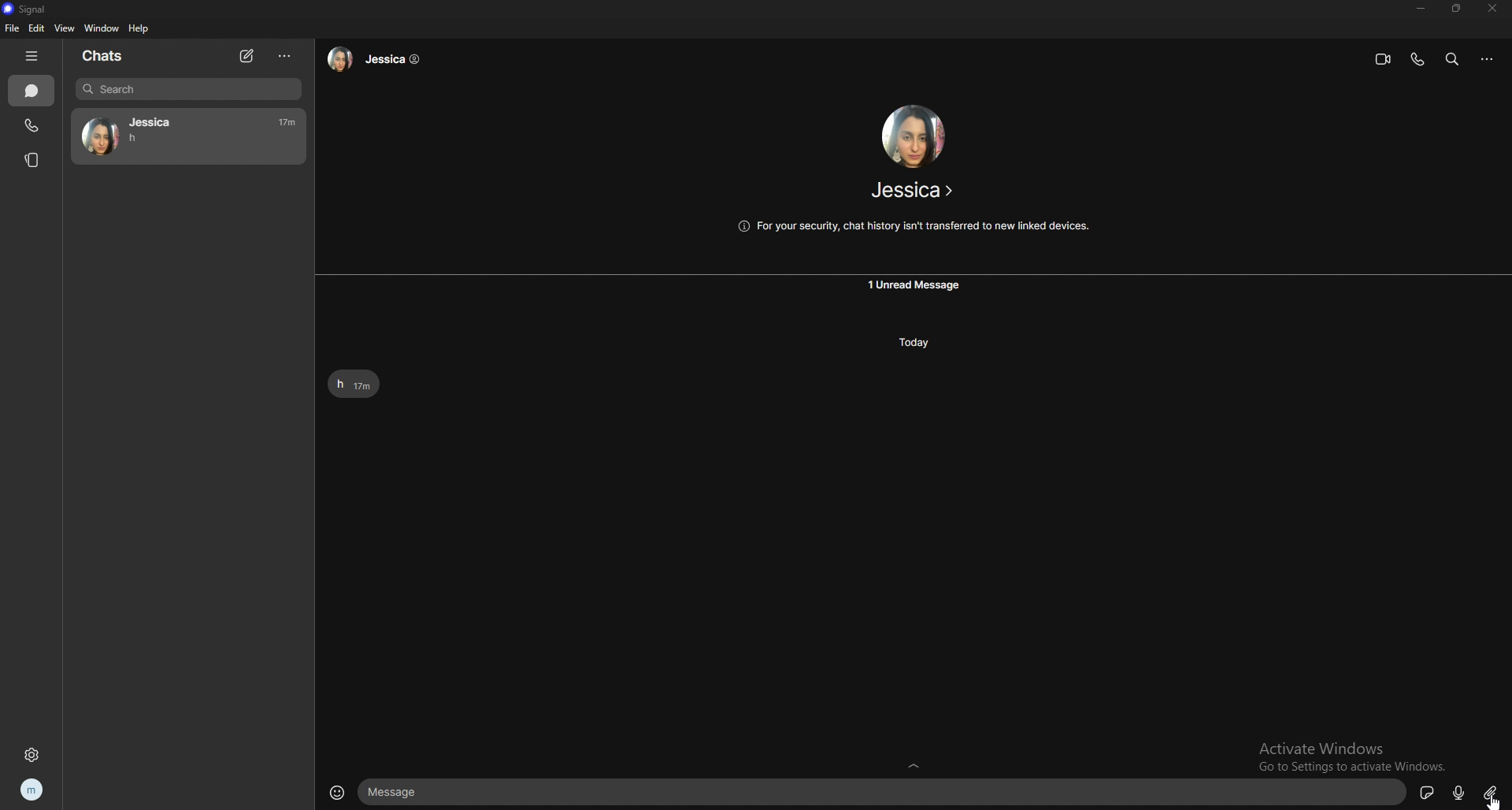 The width and height of the screenshot is (1512, 810). I want to click on call, so click(32, 124).